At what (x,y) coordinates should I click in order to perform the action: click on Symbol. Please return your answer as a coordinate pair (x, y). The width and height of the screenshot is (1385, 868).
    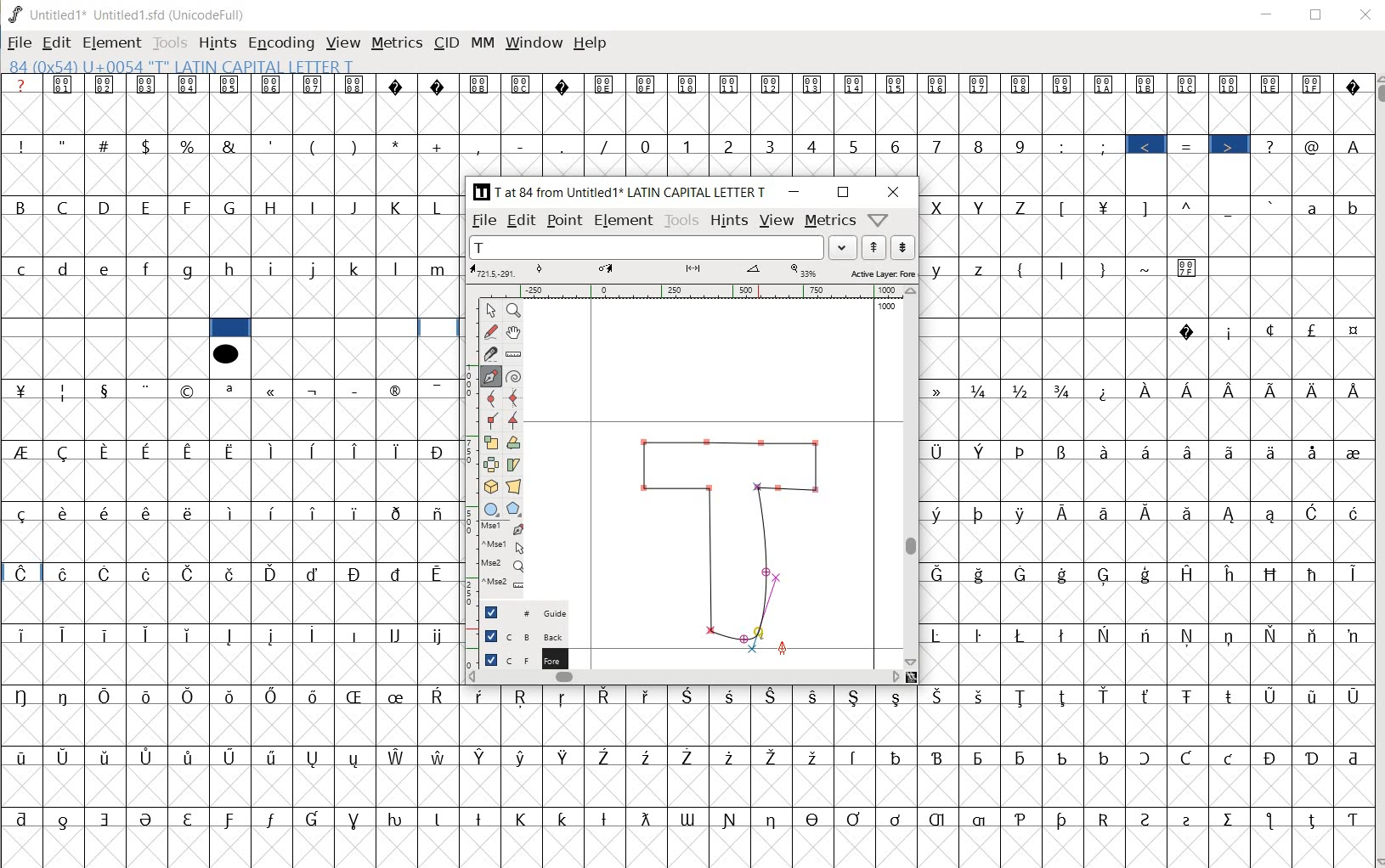
    Looking at the image, I should click on (1022, 83).